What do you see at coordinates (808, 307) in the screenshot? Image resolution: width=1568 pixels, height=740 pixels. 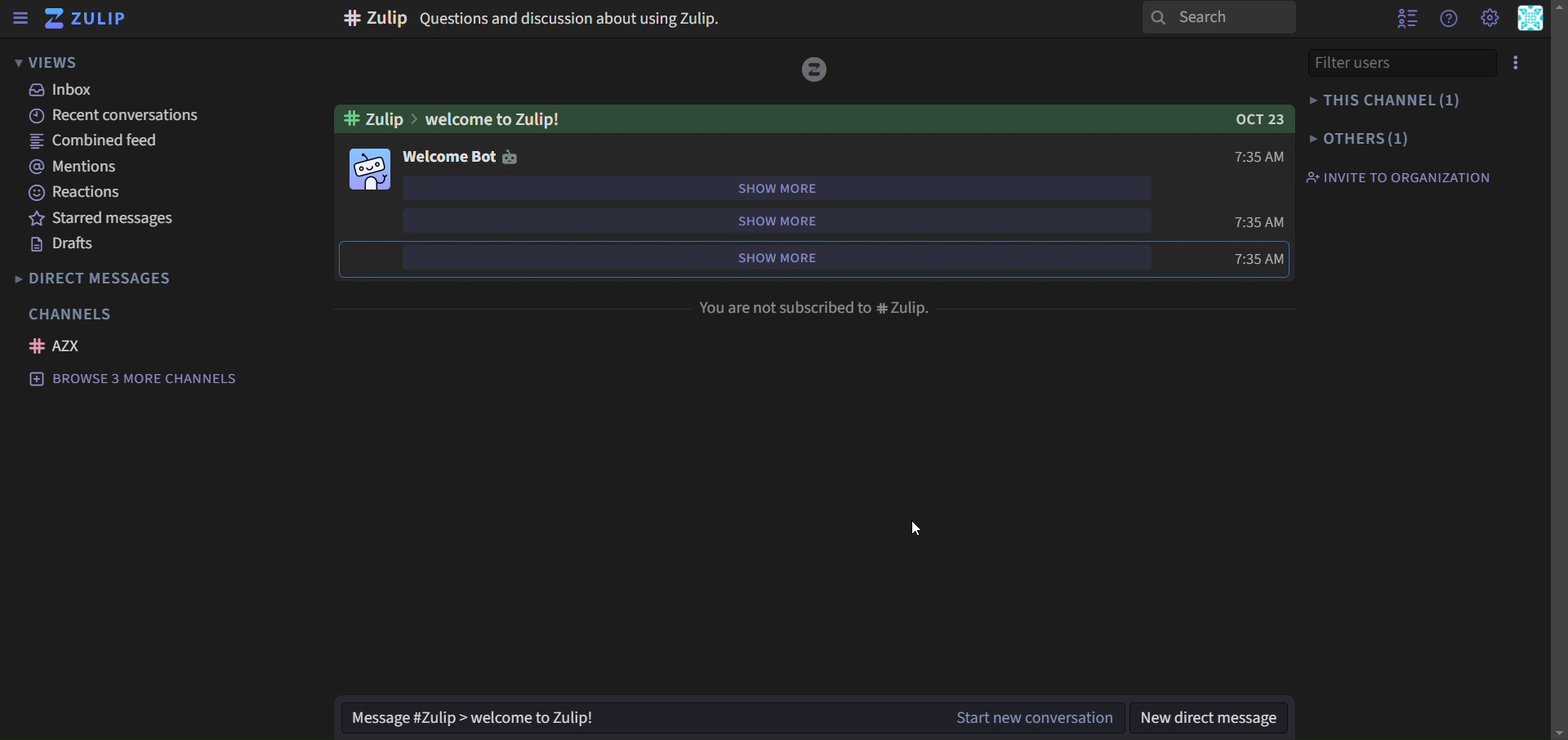 I see `You are not subscribed to # Zulip.` at bounding box center [808, 307].